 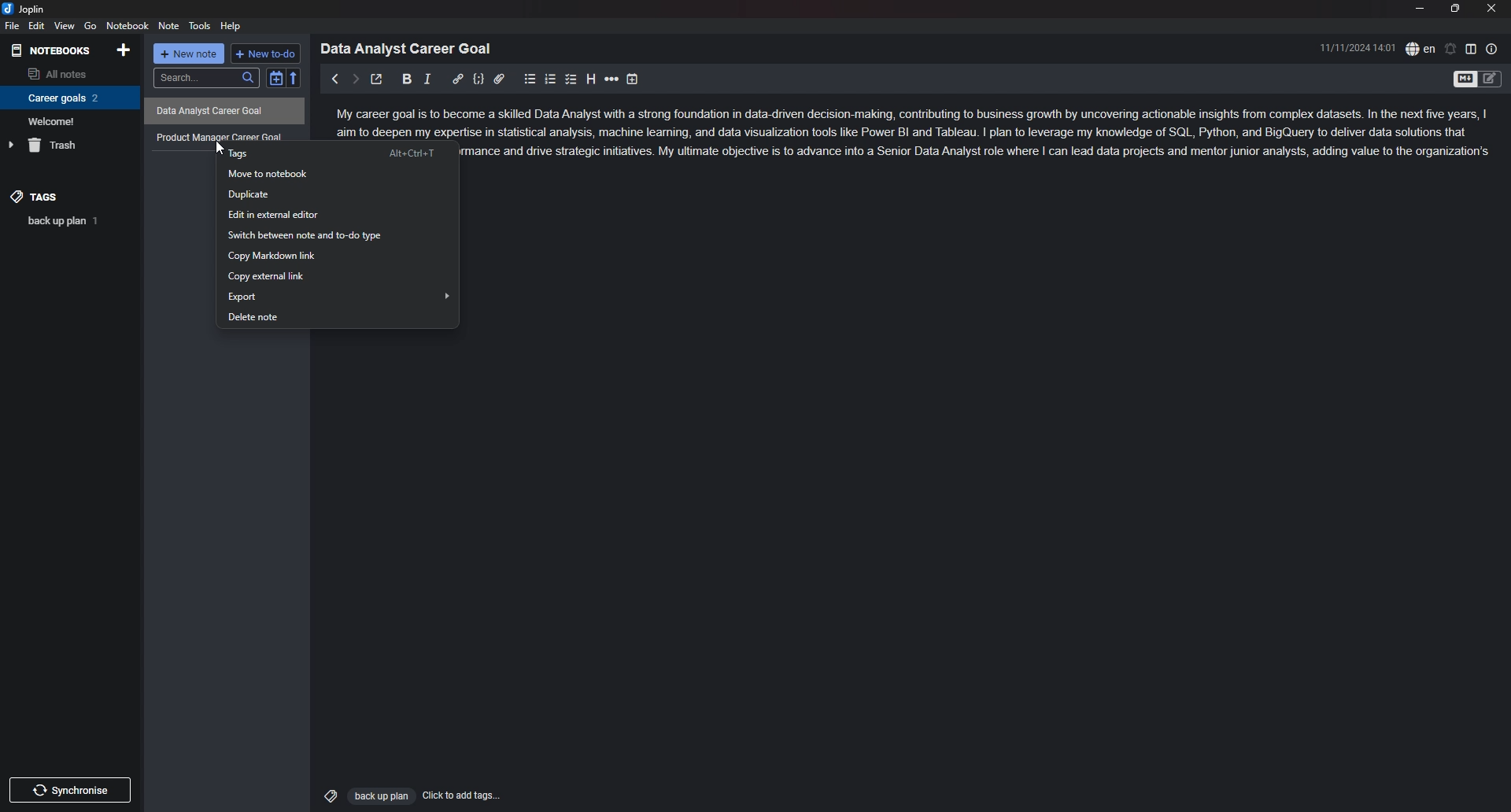 I want to click on reverse sort order, so click(x=294, y=77).